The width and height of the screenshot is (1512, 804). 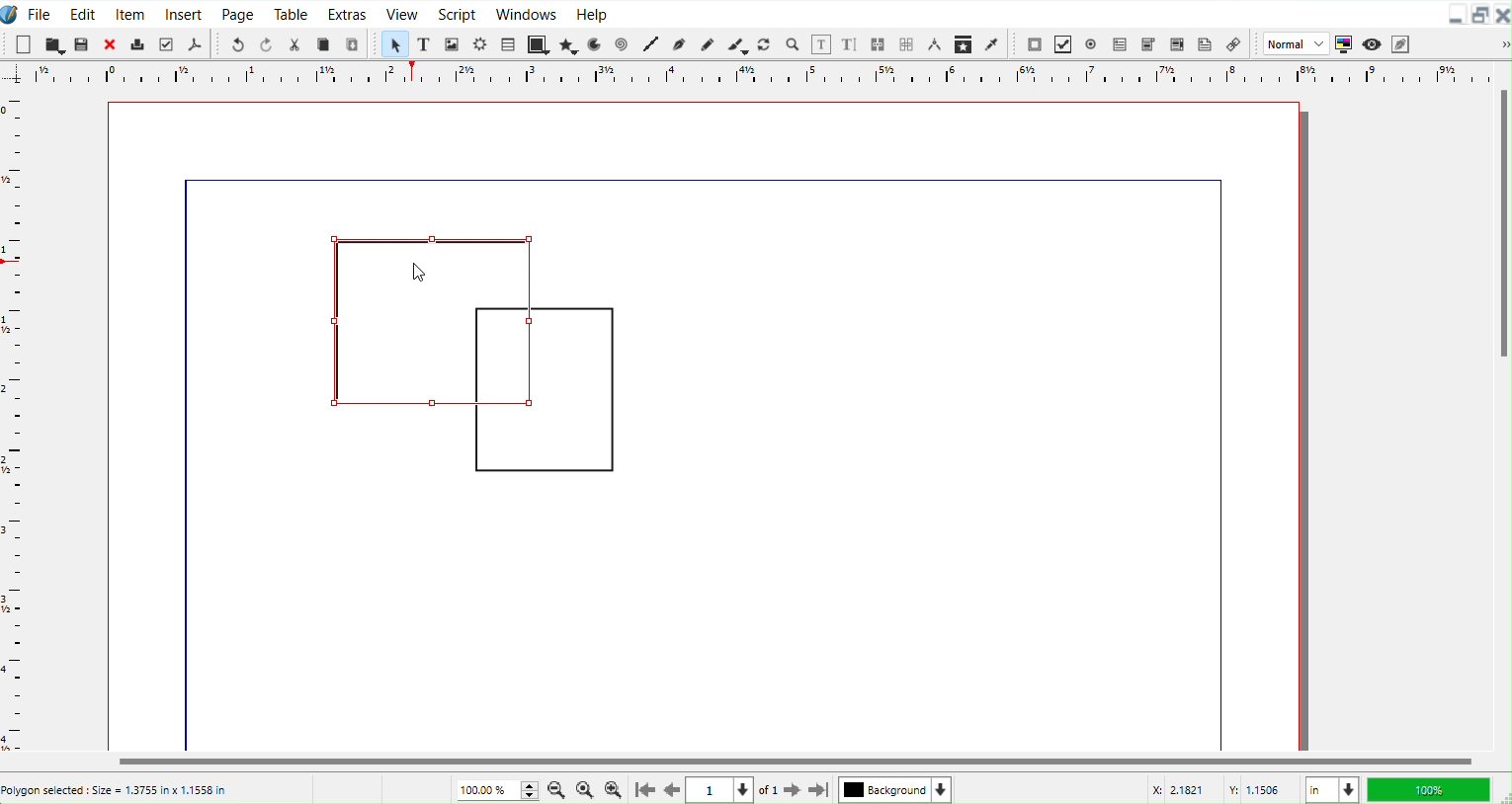 What do you see at coordinates (129, 12) in the screenshot?
I see `Item` at bounding box center [129, 12].